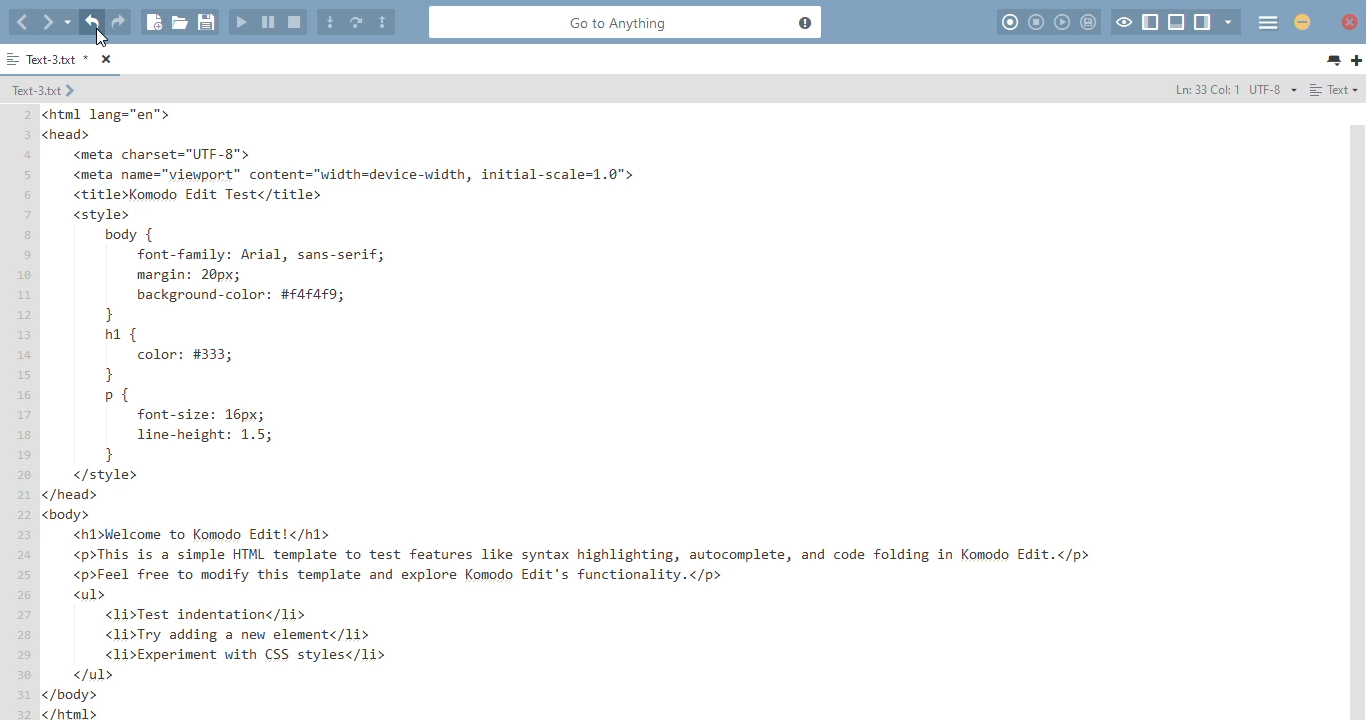  I want to click on vertical scroll bar, so click(1357, 420).